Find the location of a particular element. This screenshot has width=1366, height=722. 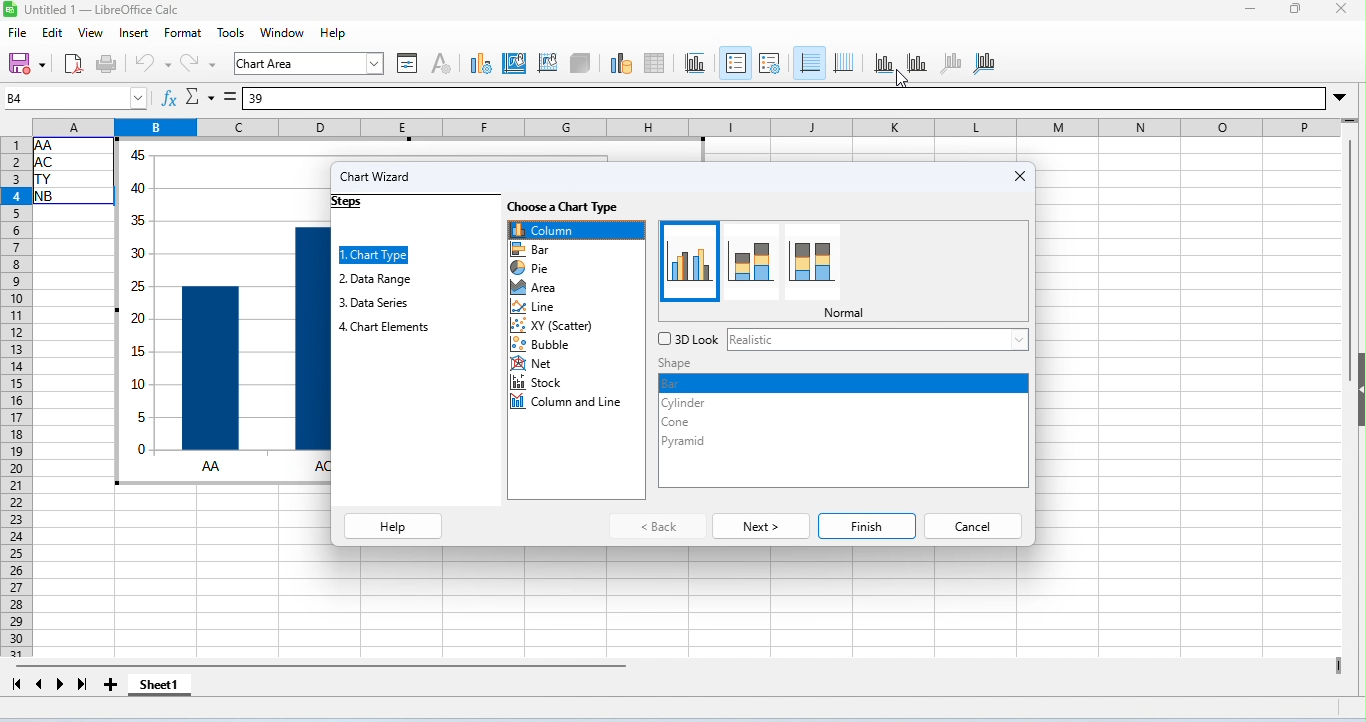

hide is located at coordinates (1357, 388).